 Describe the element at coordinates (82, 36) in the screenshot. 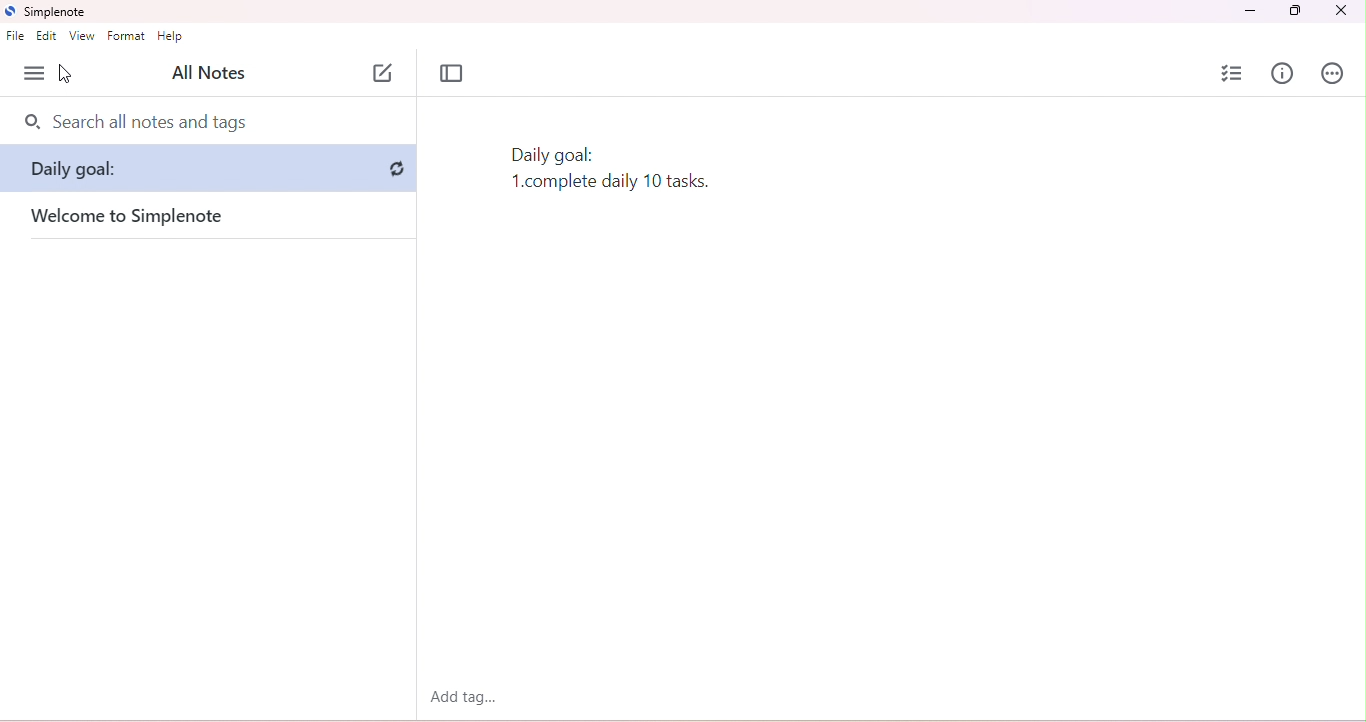

I see `view` at that location.